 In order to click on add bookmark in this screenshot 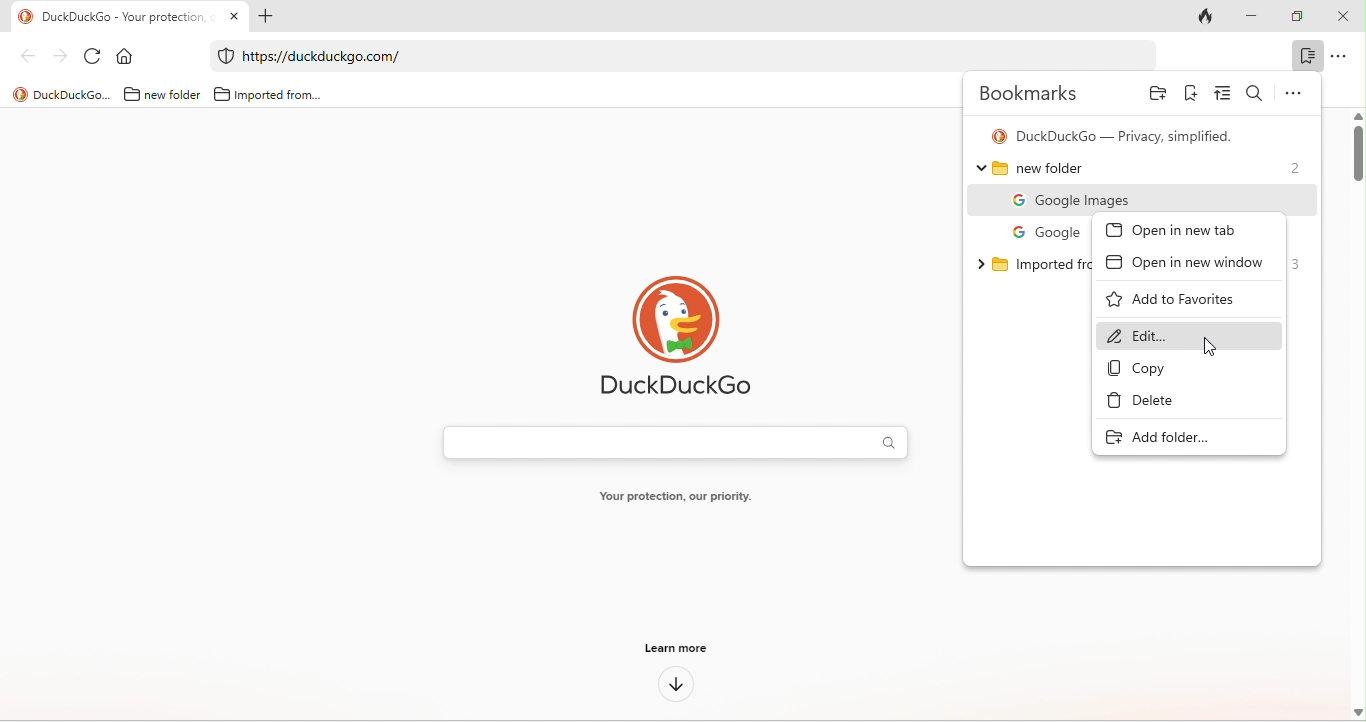, I will do `click(1190, 94)`.